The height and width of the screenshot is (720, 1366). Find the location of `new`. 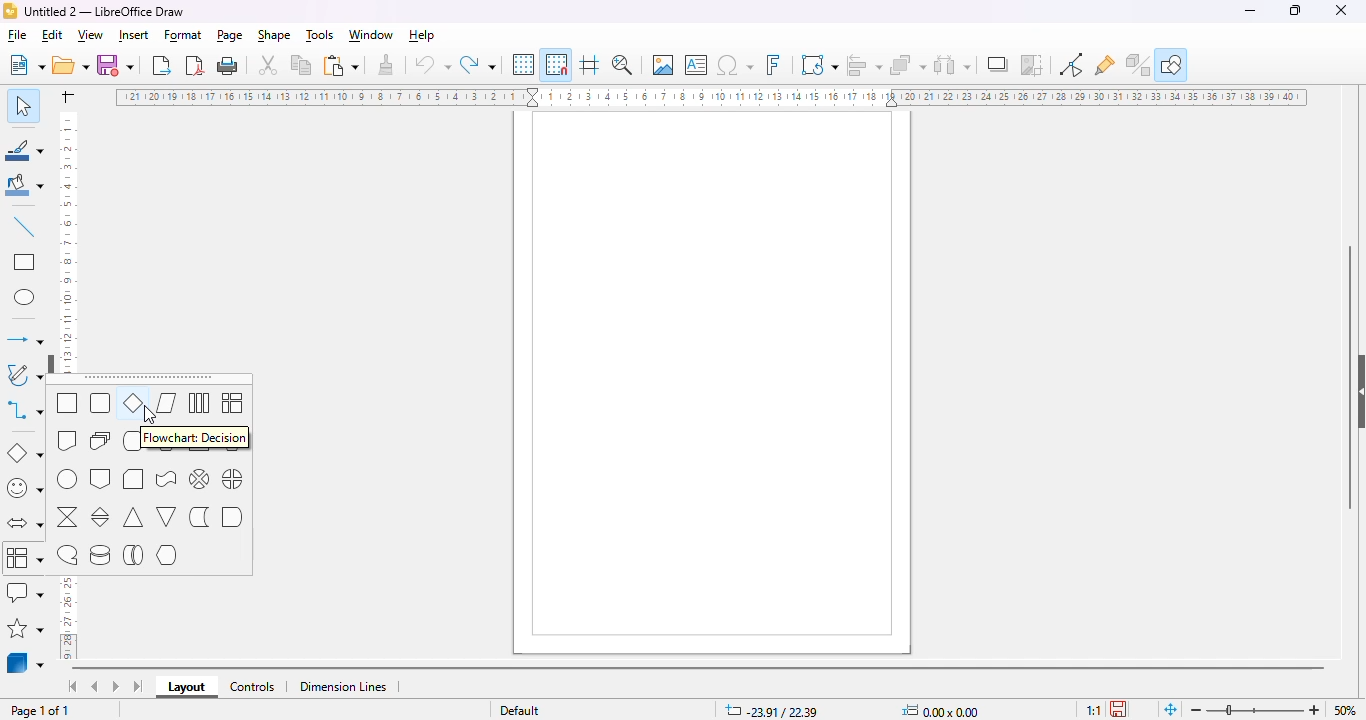

new is located at coordinates (26, 66).